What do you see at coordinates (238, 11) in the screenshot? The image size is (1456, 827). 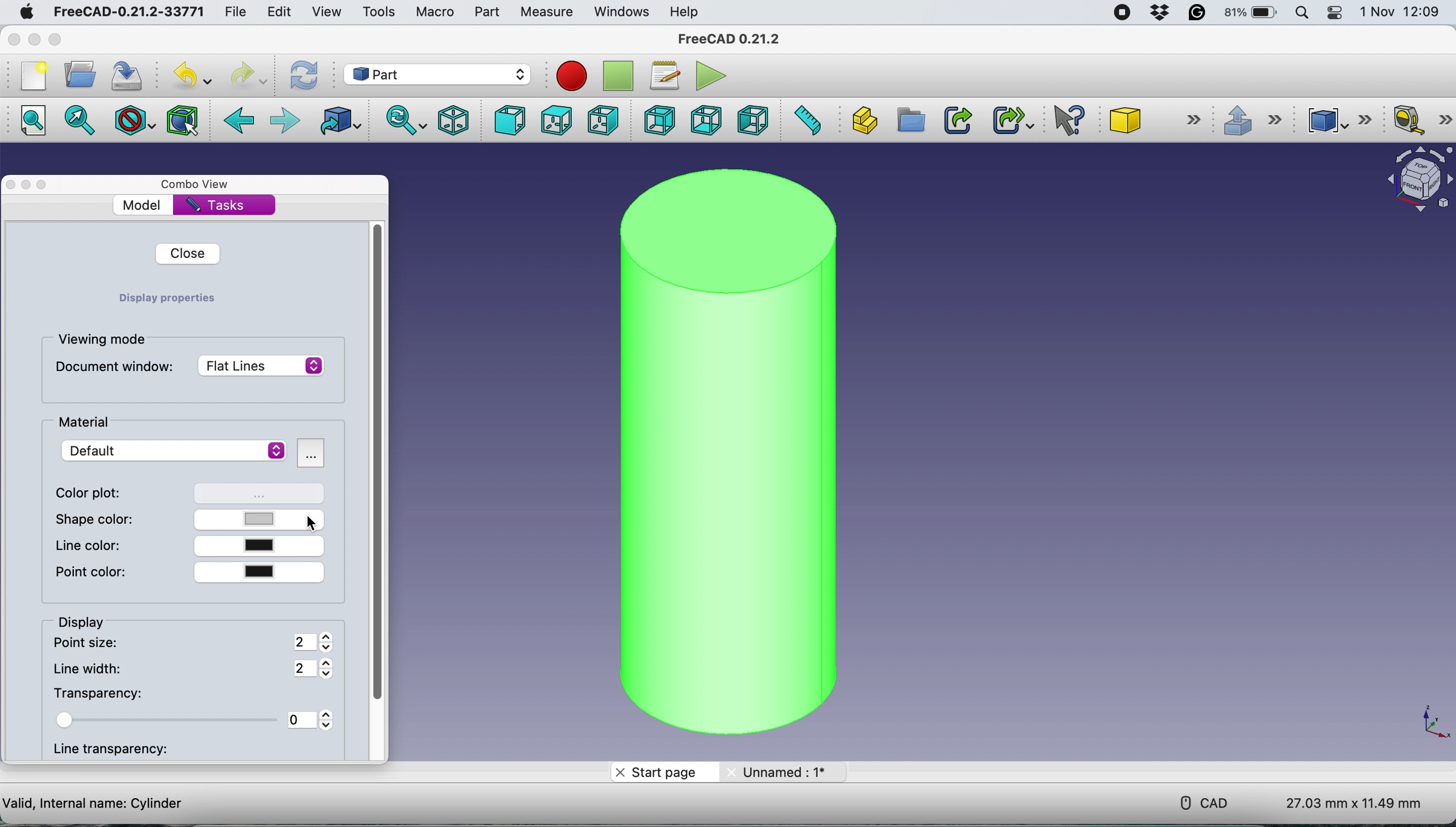 I see `file` at bounding box center [238, 11].